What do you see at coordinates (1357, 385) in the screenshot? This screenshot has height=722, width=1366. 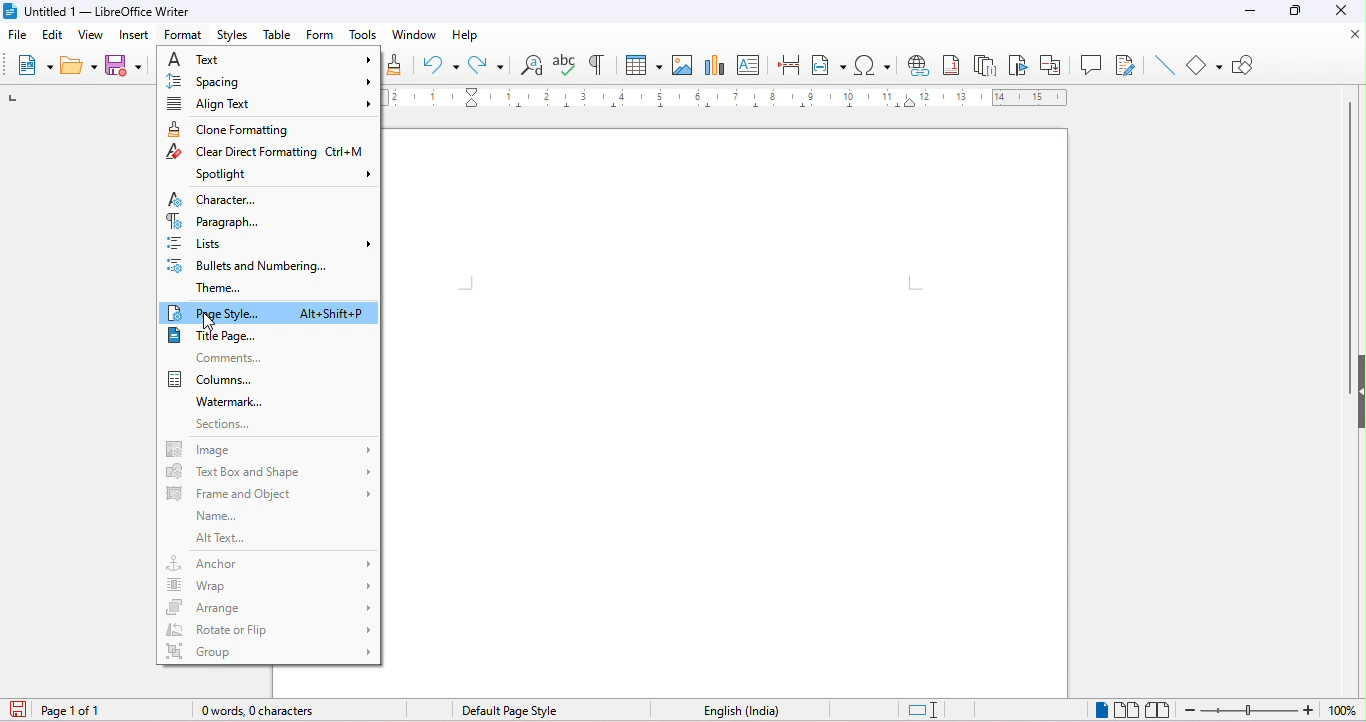 I see `height` at bounding box center [1357, 385].